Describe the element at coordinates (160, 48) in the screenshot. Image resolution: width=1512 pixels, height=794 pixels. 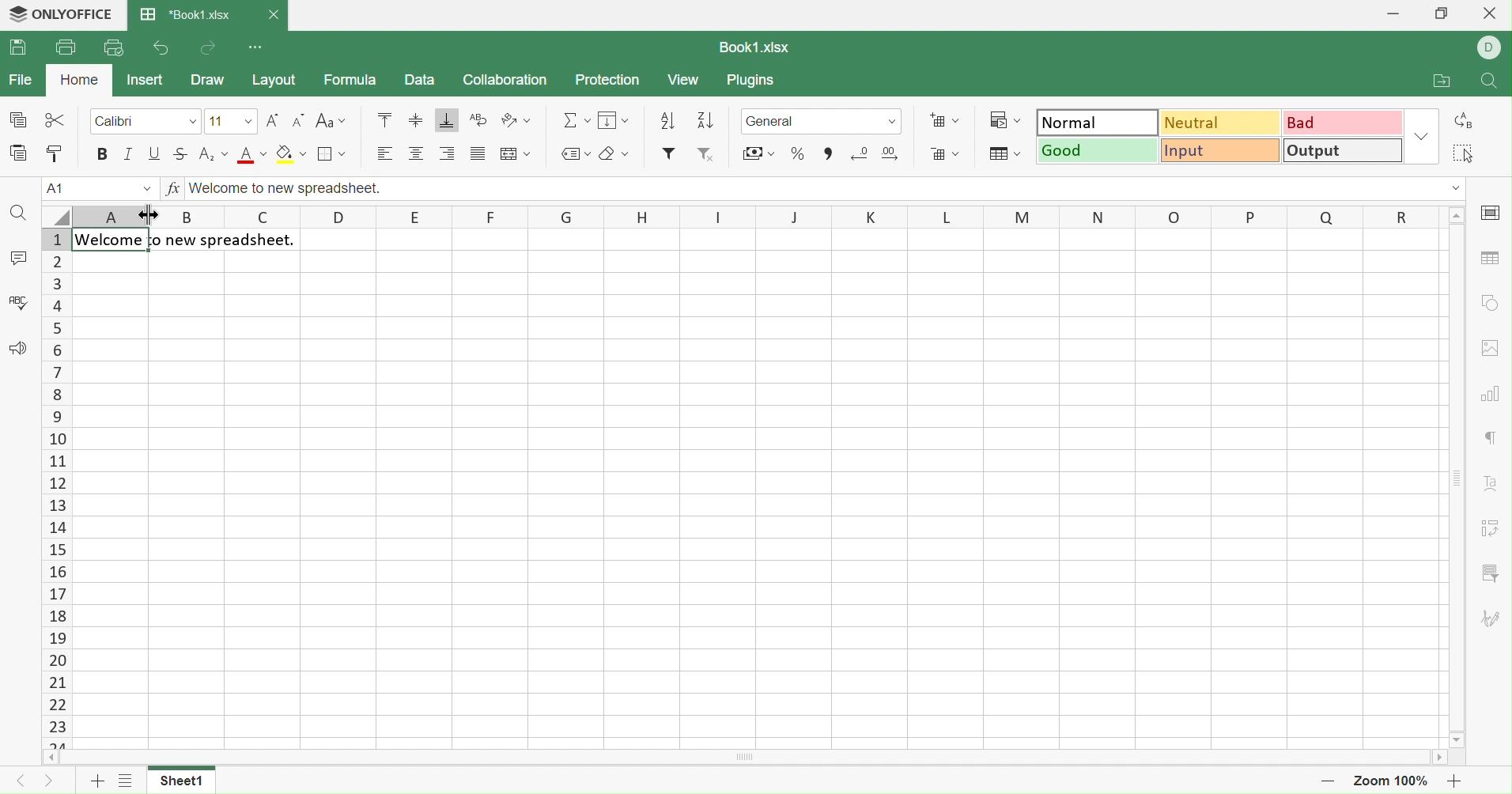
I see `Undo` at that location.